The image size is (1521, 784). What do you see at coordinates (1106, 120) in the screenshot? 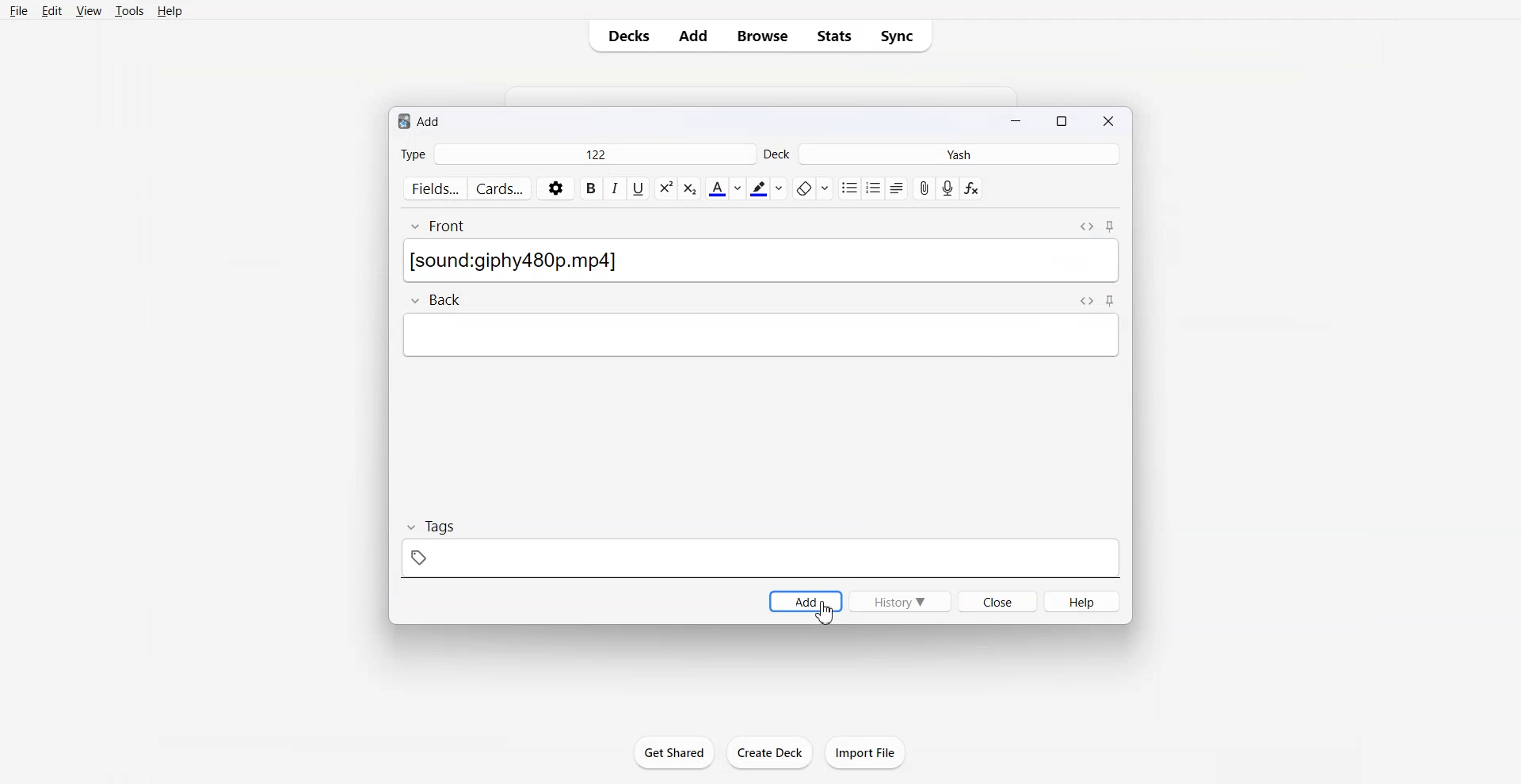
I see `Close` at bounding box center [1106, 120].